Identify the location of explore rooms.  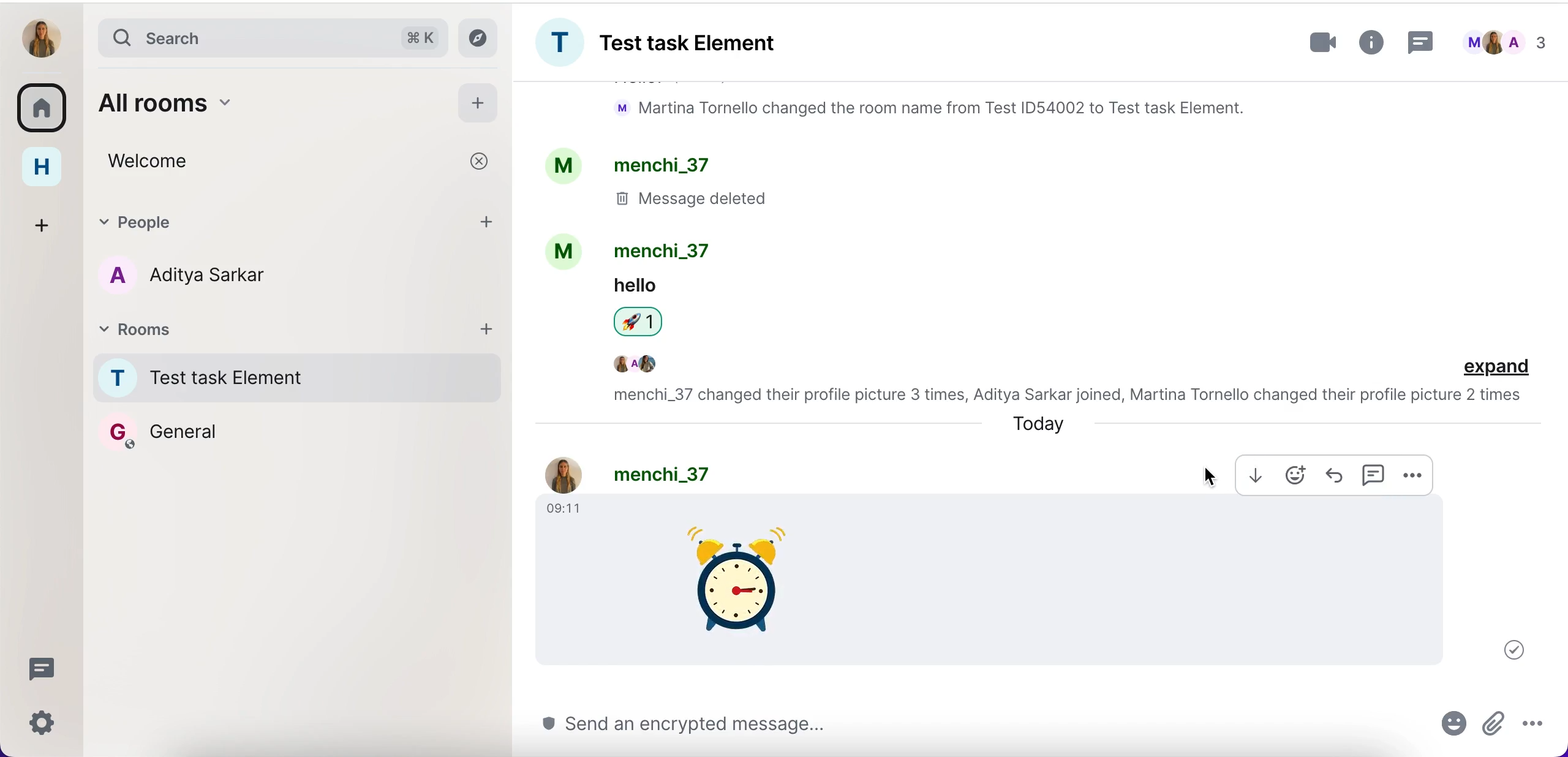
(478, 36).